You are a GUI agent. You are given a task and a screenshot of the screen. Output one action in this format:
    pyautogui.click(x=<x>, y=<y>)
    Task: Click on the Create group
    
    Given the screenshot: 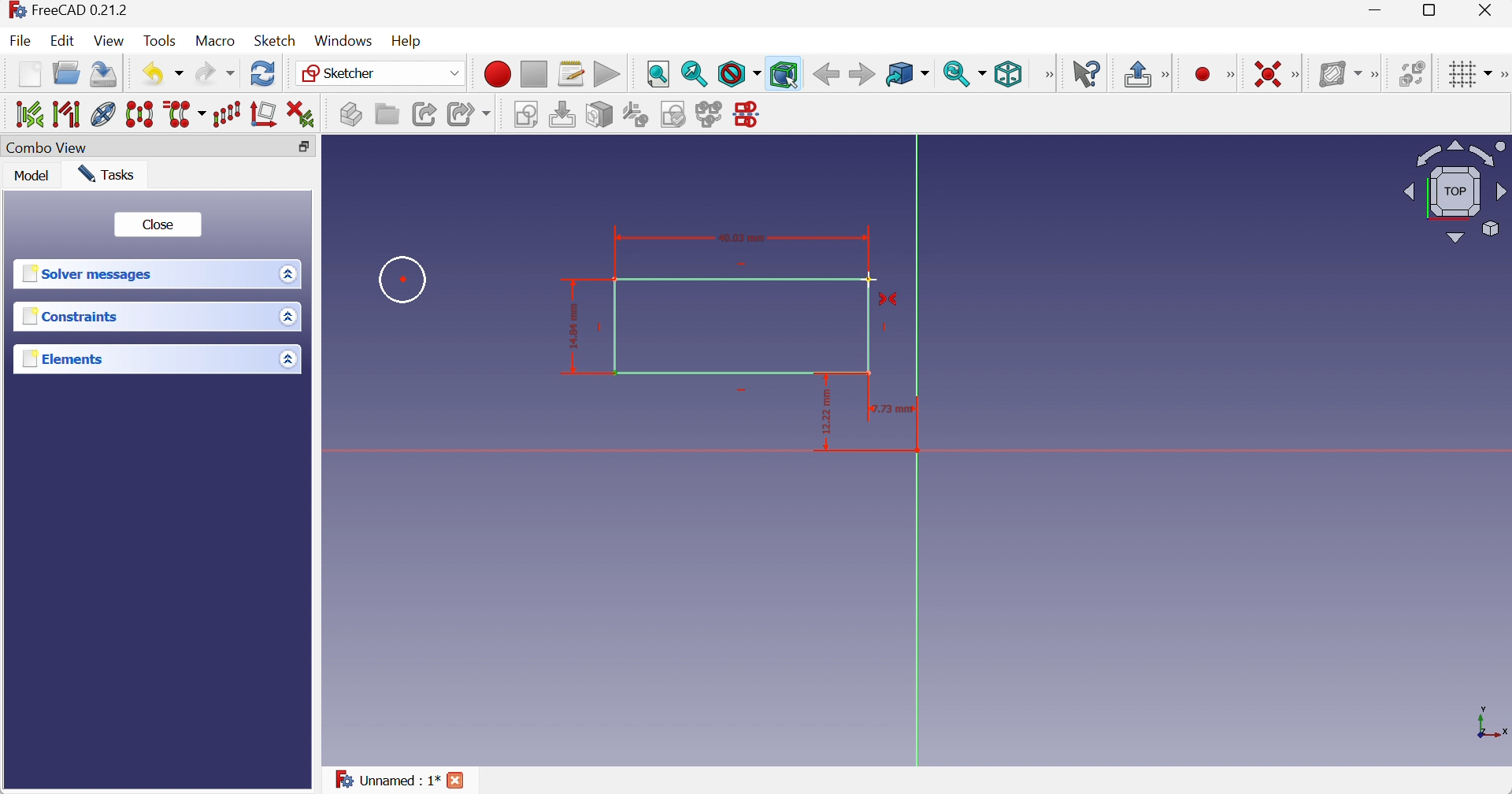 What is the action you would take?
    pyautogui.click(x=386, y=113)
    